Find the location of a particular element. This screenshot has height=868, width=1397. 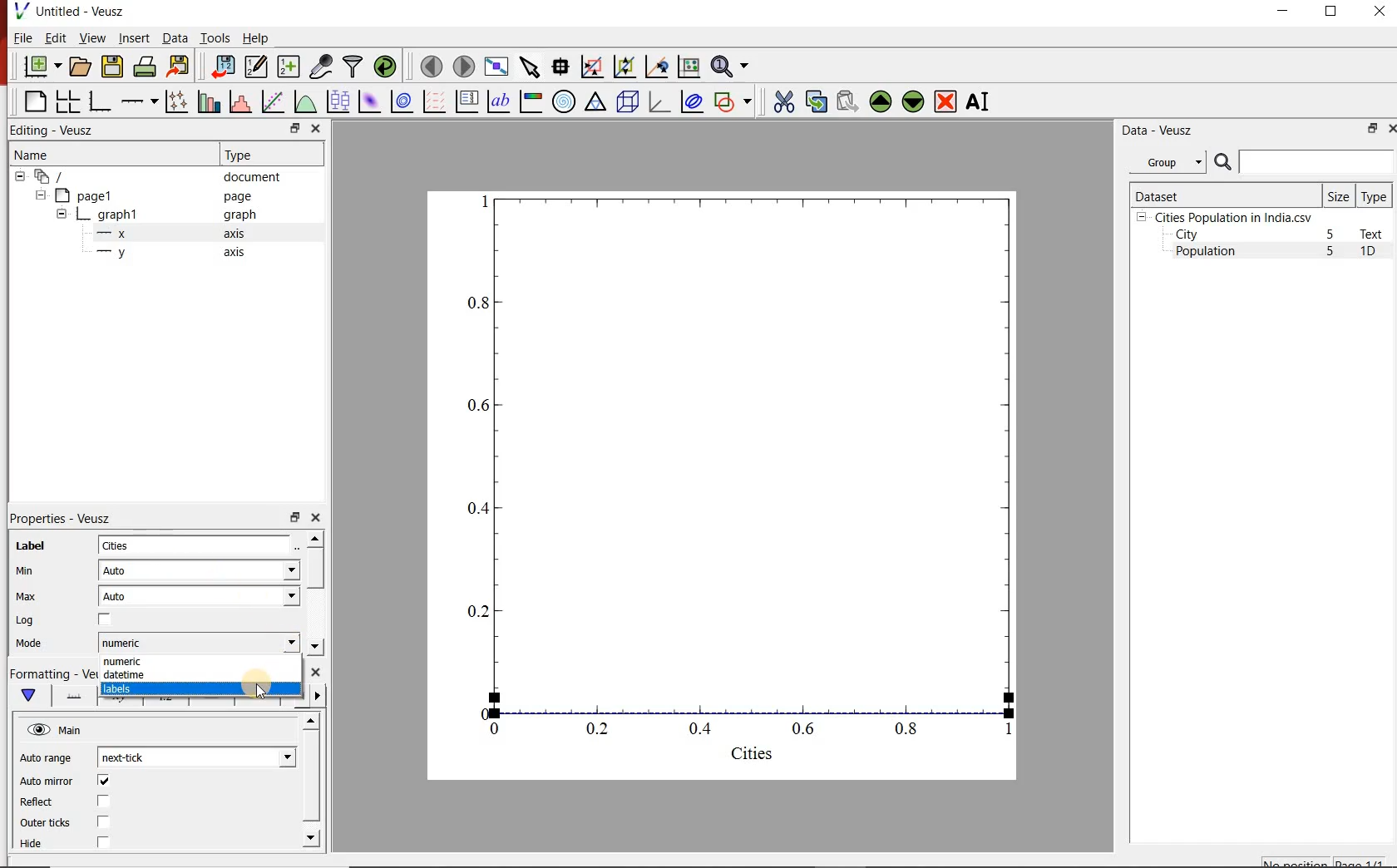

check/uncheck is located at coordinates (102, 845).